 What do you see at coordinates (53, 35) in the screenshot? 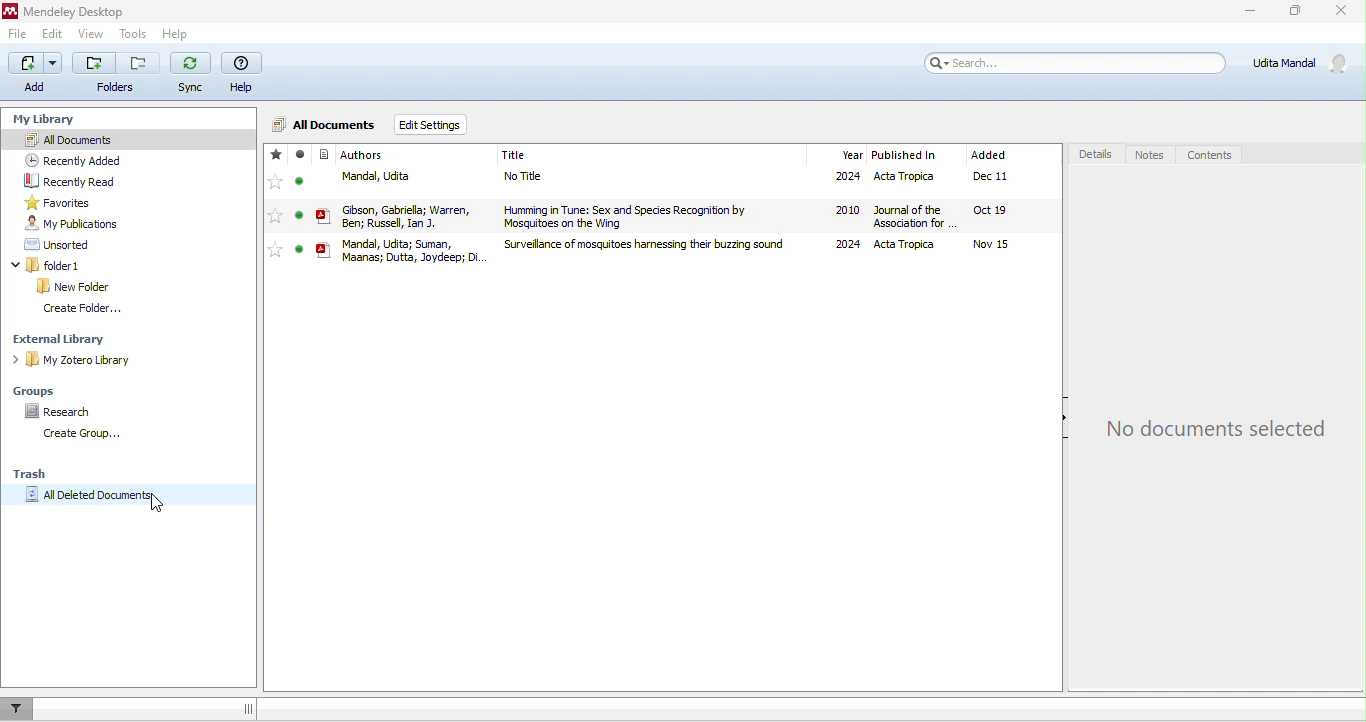
I see `edit` at bounding box center [53, 35].